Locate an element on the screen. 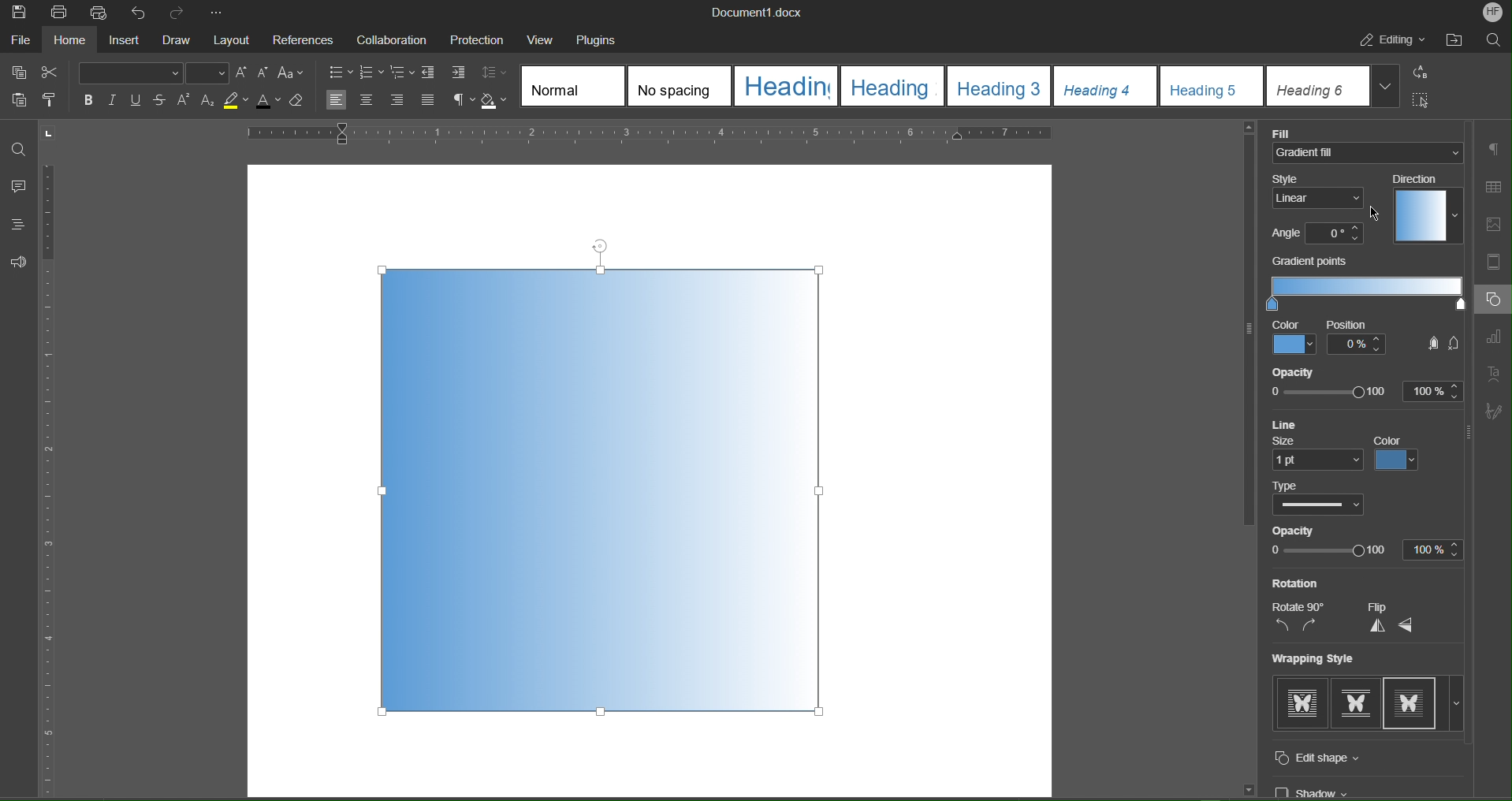 This screenshot has height=801, width=1512. Bullet List is located at coordinates (340, 71).